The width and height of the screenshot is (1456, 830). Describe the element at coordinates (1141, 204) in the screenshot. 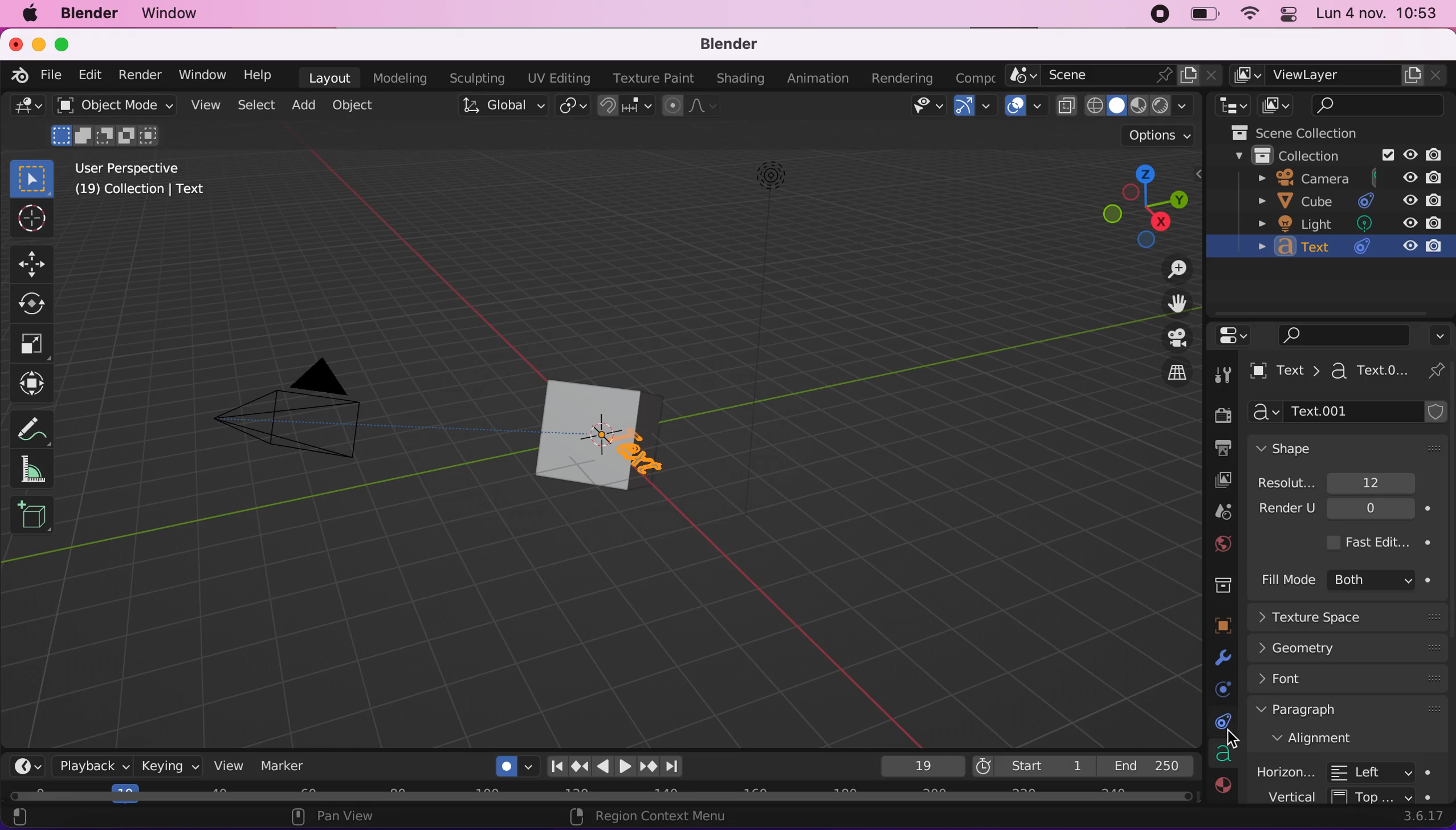

I see `click, shortcut, drag` at that location.